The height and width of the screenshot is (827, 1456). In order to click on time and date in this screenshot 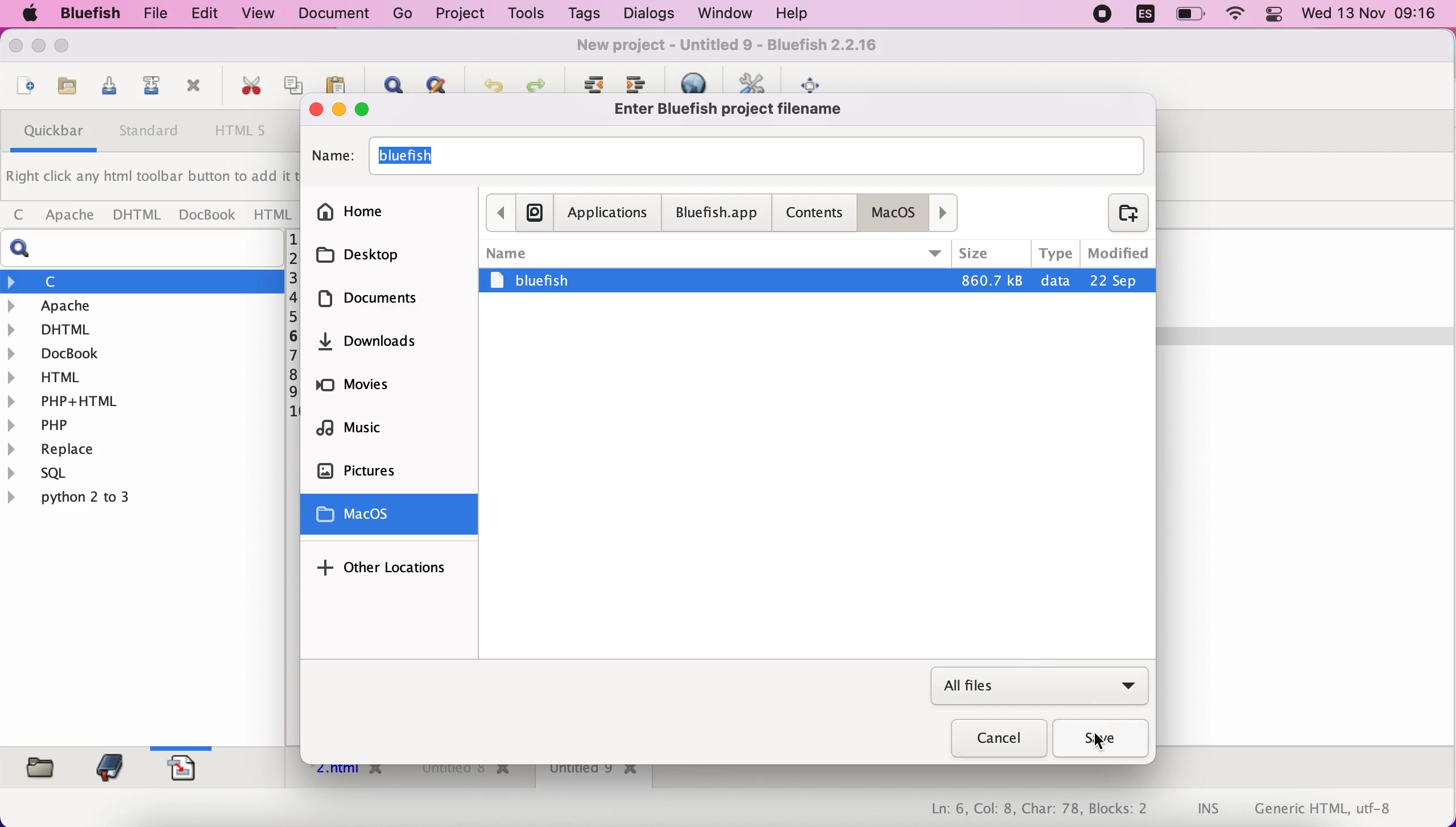, I will do `click(1371, 15)`.